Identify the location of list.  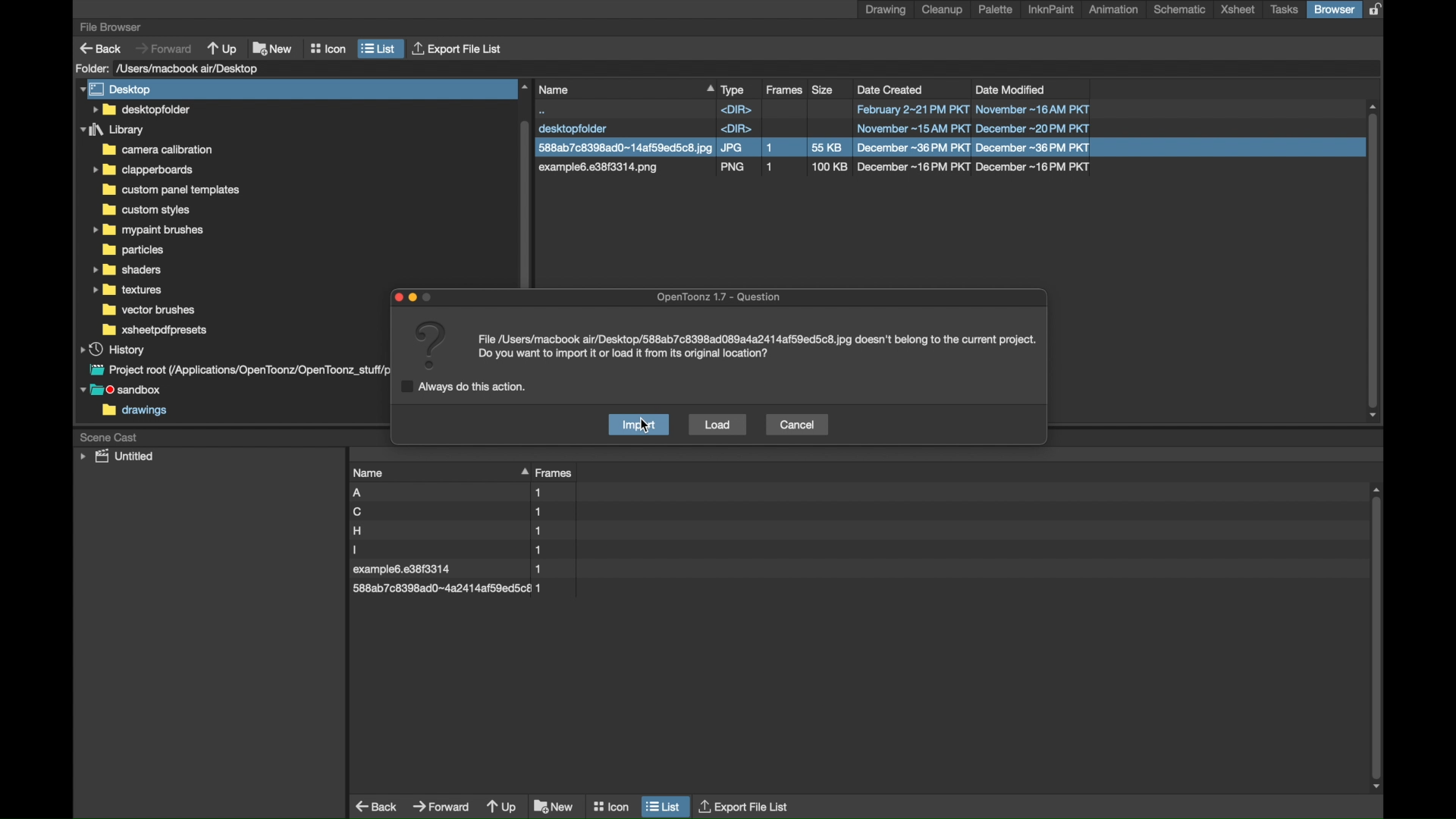
(379, 49).